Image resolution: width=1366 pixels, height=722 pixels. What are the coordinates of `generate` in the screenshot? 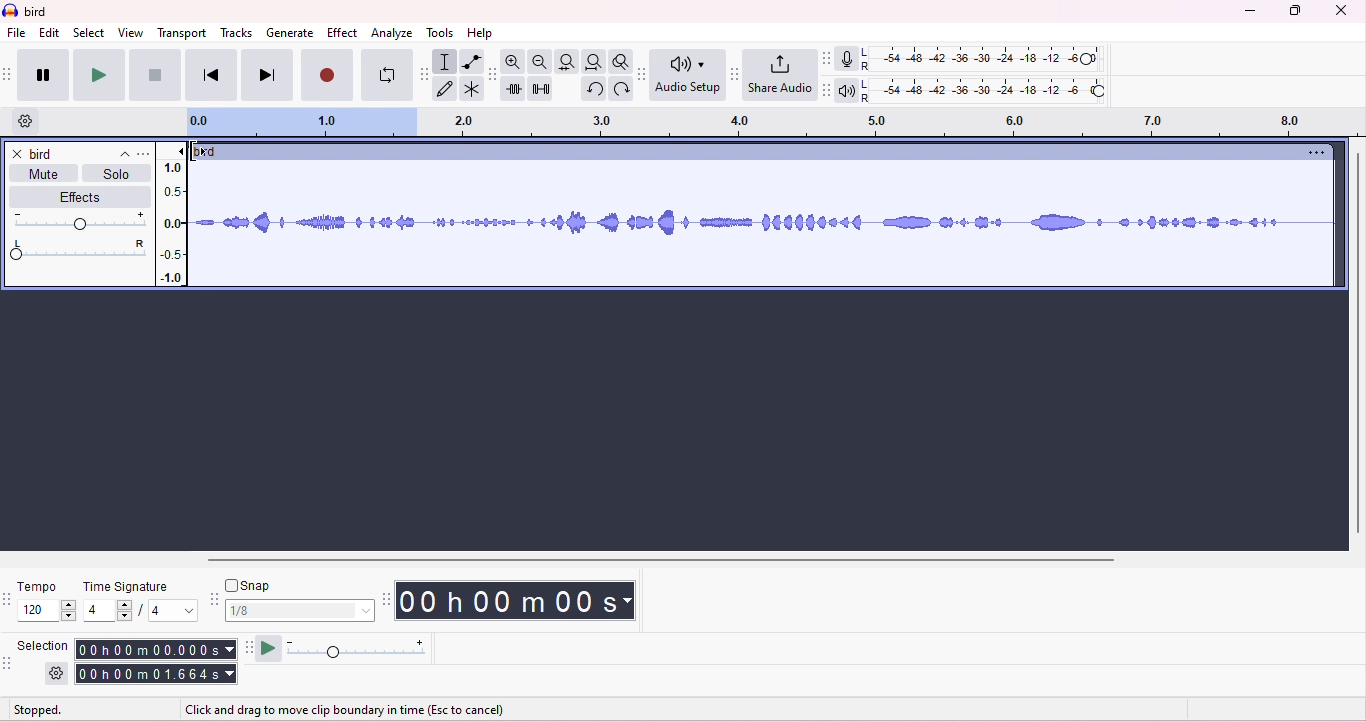 It's located at (289, 33).